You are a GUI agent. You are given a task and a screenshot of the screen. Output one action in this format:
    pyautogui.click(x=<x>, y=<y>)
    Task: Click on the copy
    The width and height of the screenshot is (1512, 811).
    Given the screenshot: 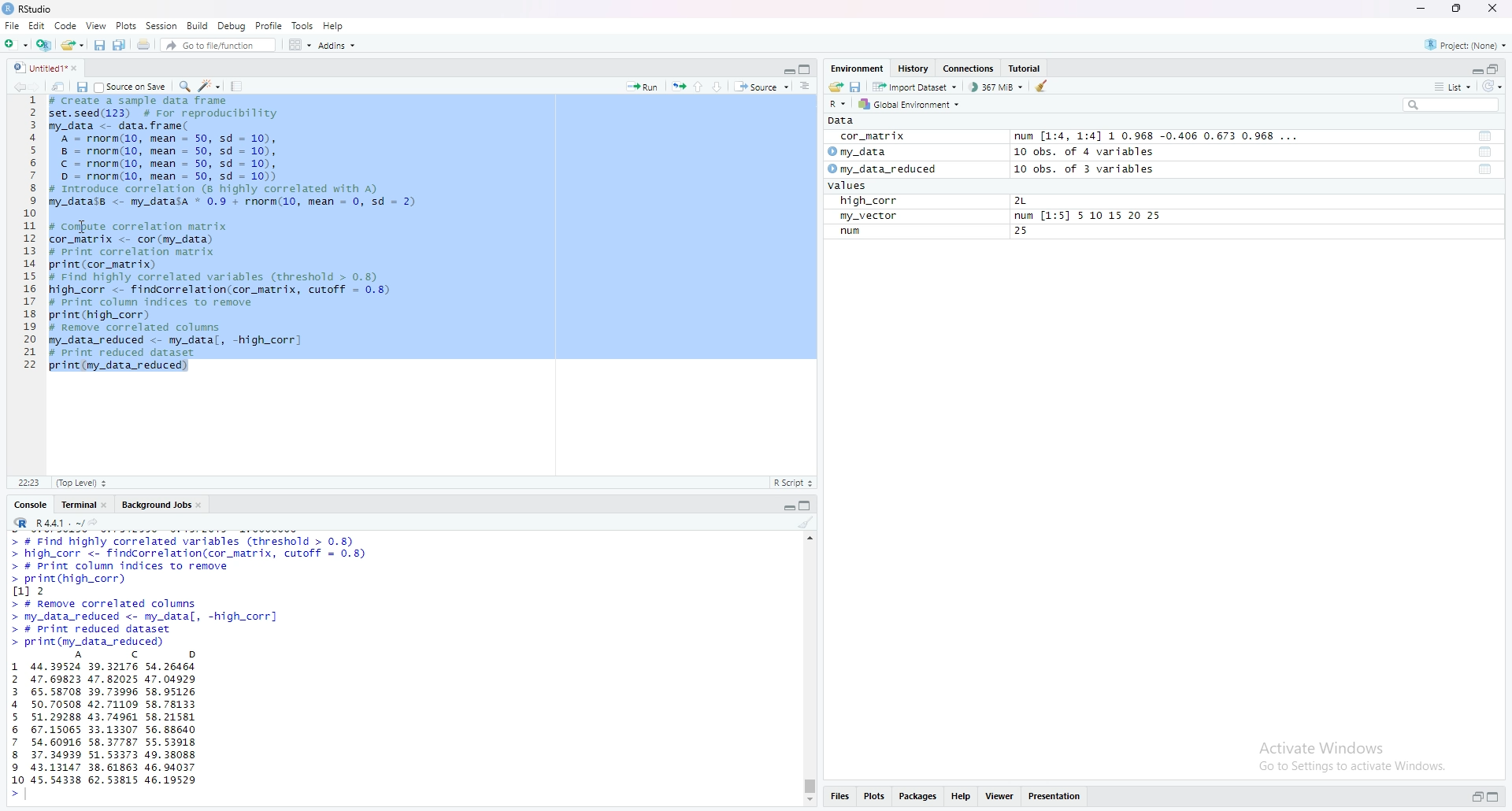 What is the action you would take?
    pyautogui.click(x=806, y=70)
    